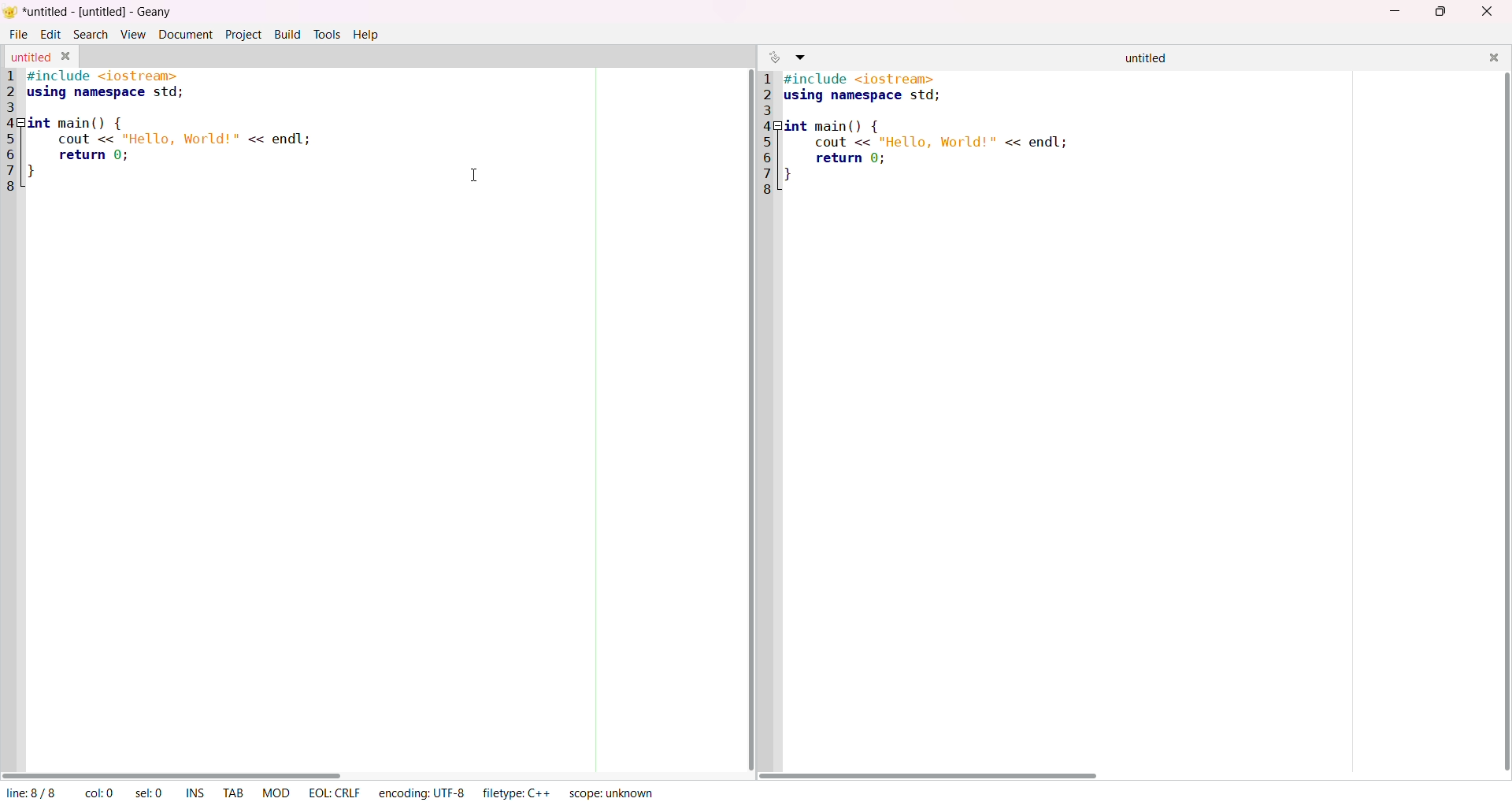 This screenshot has width=1512, height=802. Describe the element at coordinates (30, 792) in the screenshot. I see `line: 8/8` at that location.